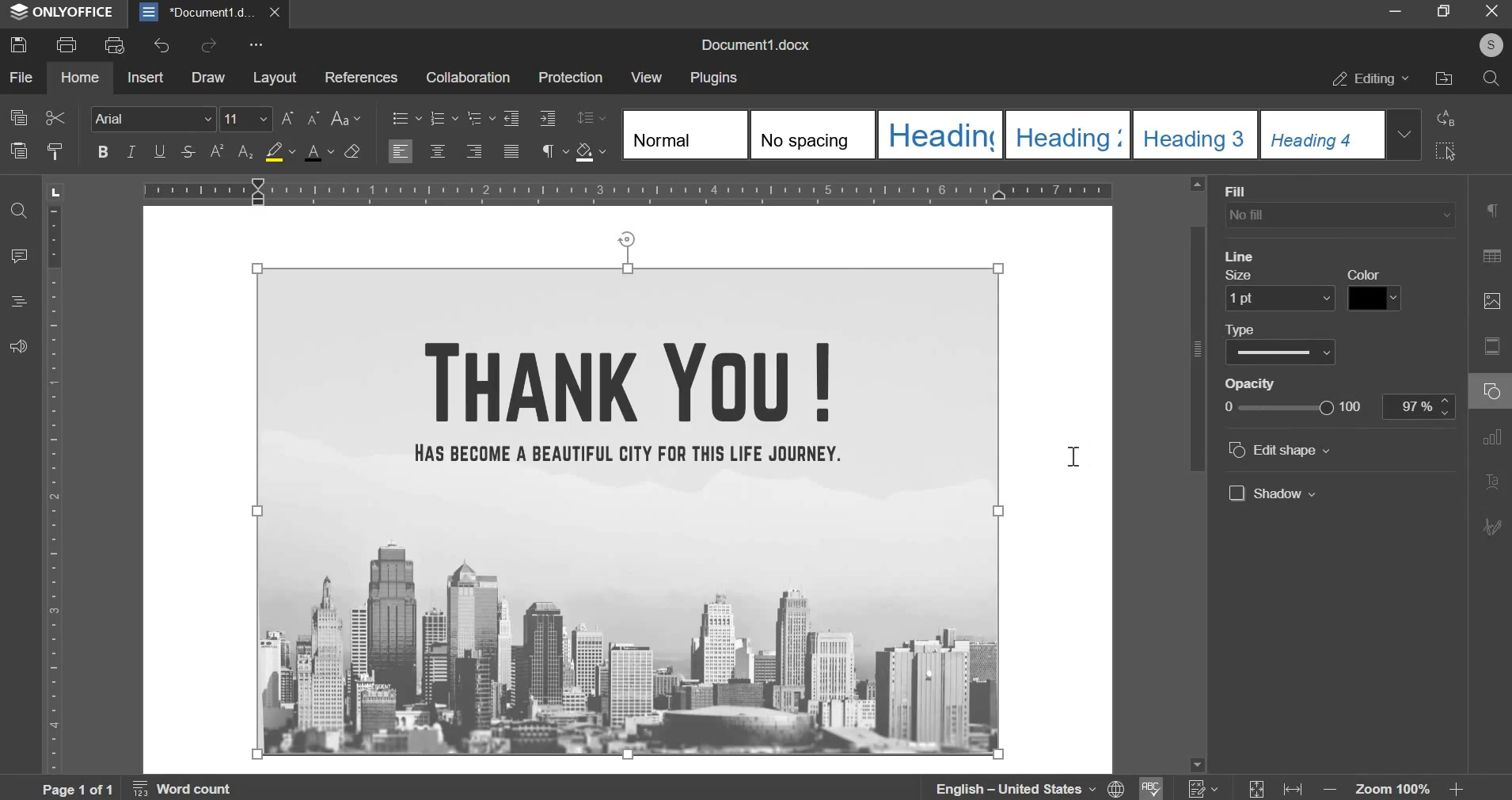 The width and height of the screenshot is (1512, 800). What do you see at coordinates (281, 150) in the screenshot?
I see `fill color` at bounding box center [281, 150].